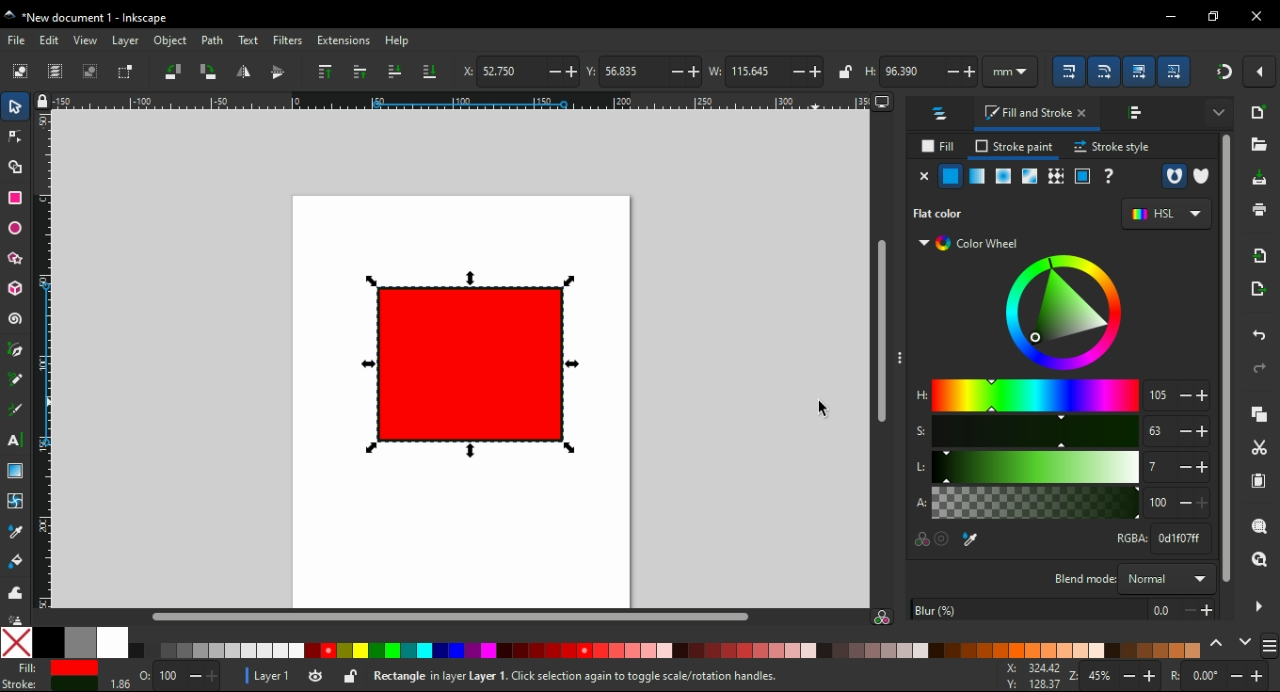 The height and width of the screenshot is (692, 1280). Describe the element at coordinates (1182, 538) in the screenshot. I see `hexcode` at that location.